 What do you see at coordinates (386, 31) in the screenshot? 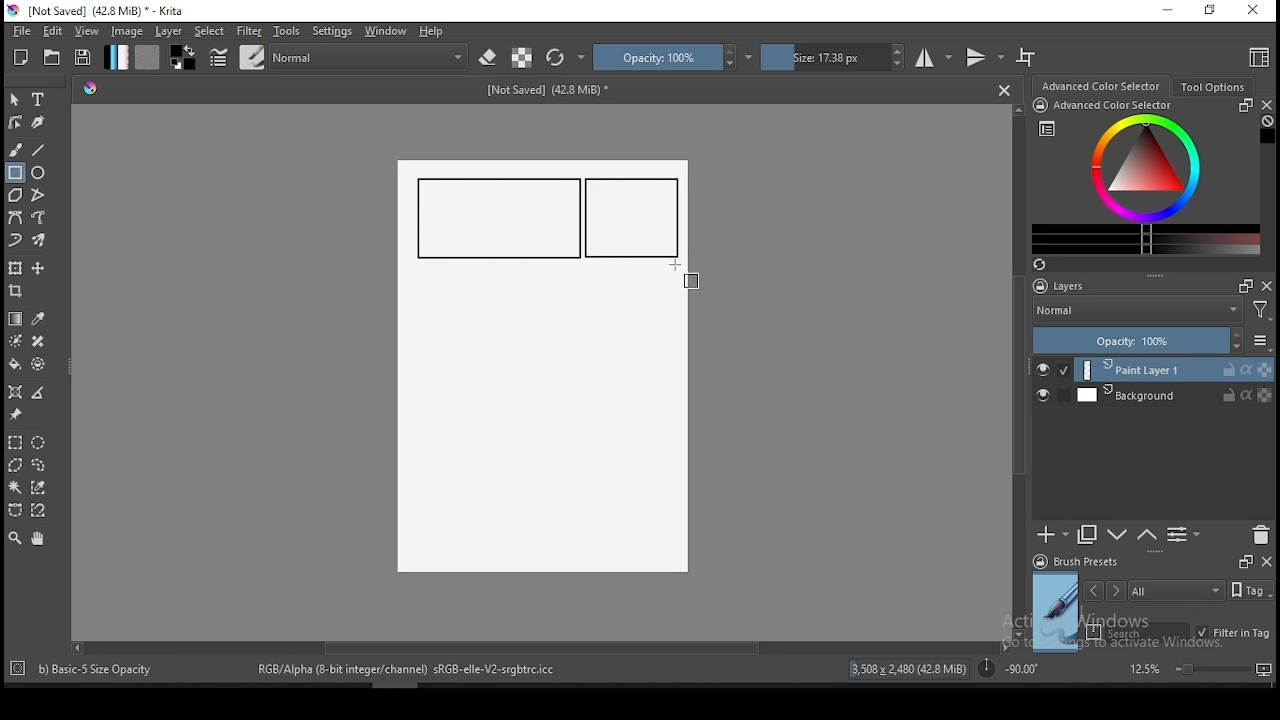
I see `windows` at bounding box center [386, 31].